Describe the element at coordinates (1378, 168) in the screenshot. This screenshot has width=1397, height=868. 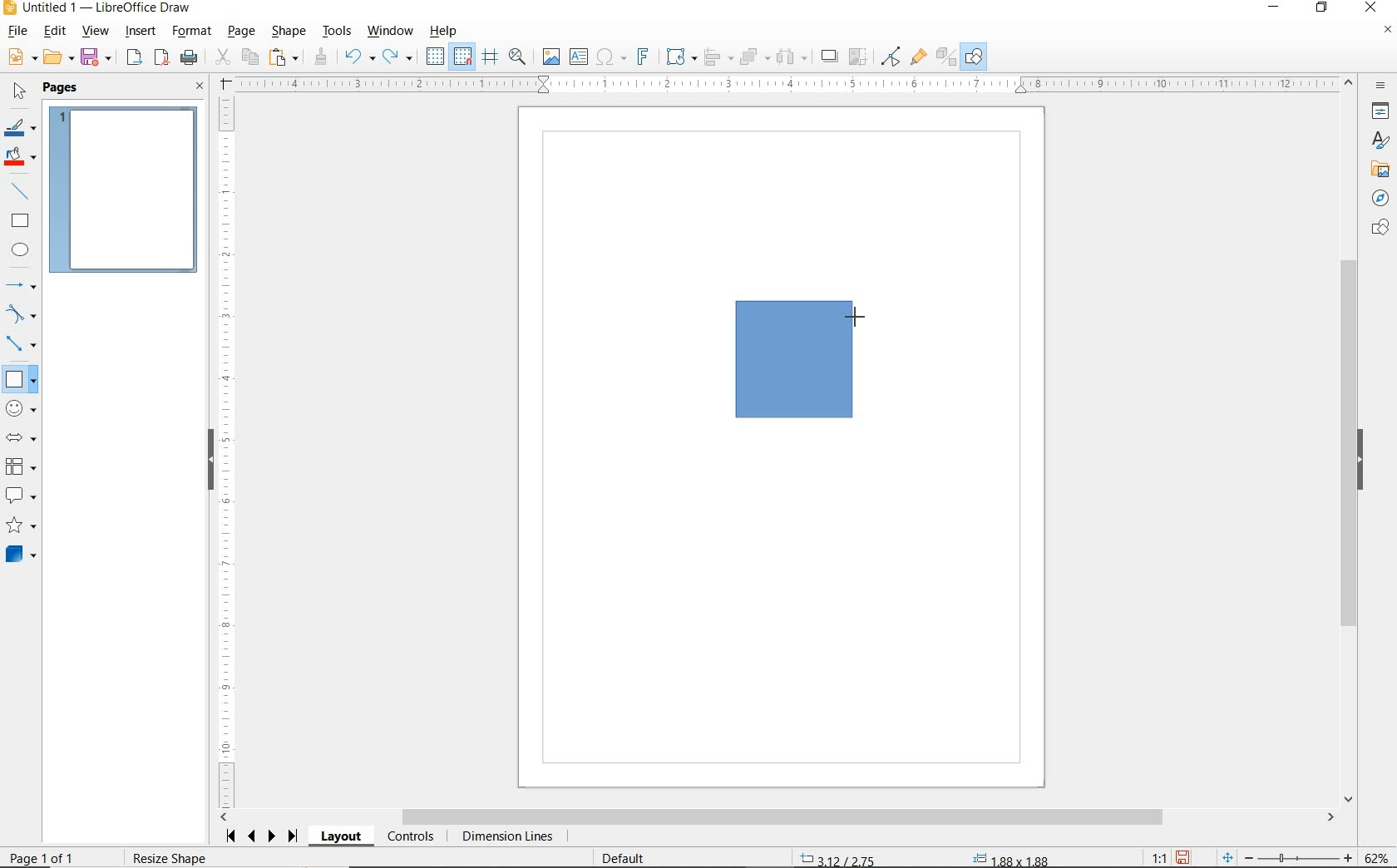
I see `GALLERY` at that location.